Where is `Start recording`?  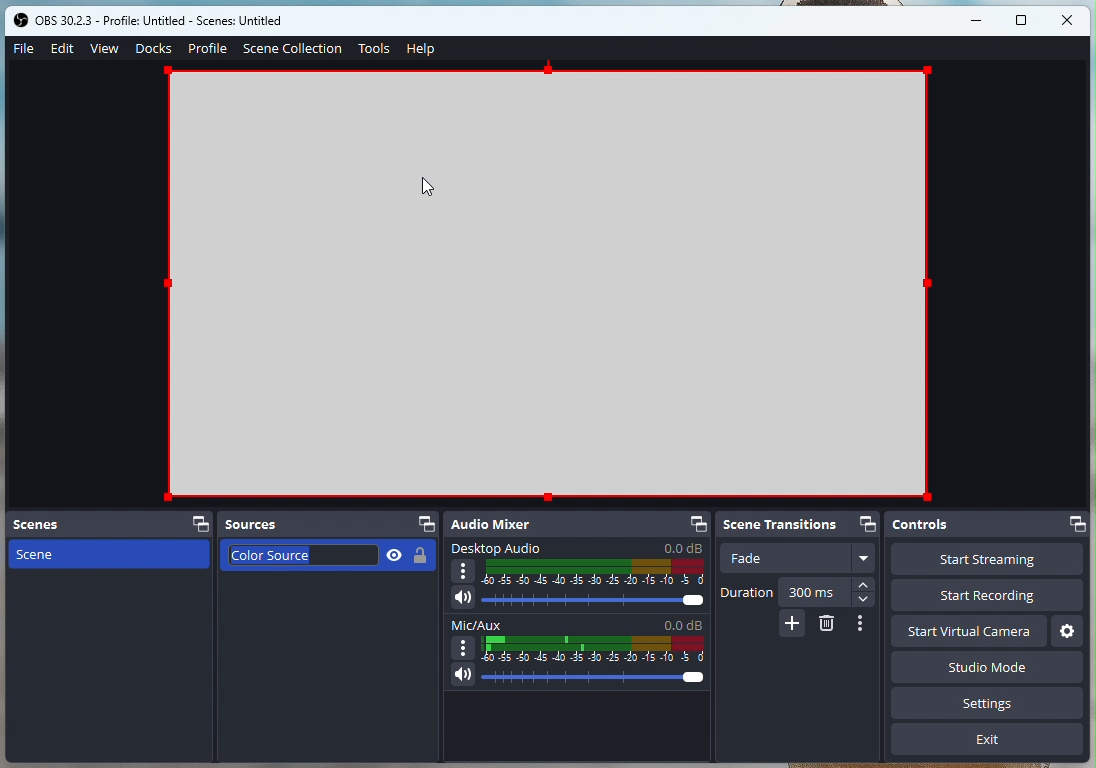
Start recording is located at coordinates (993, 597).